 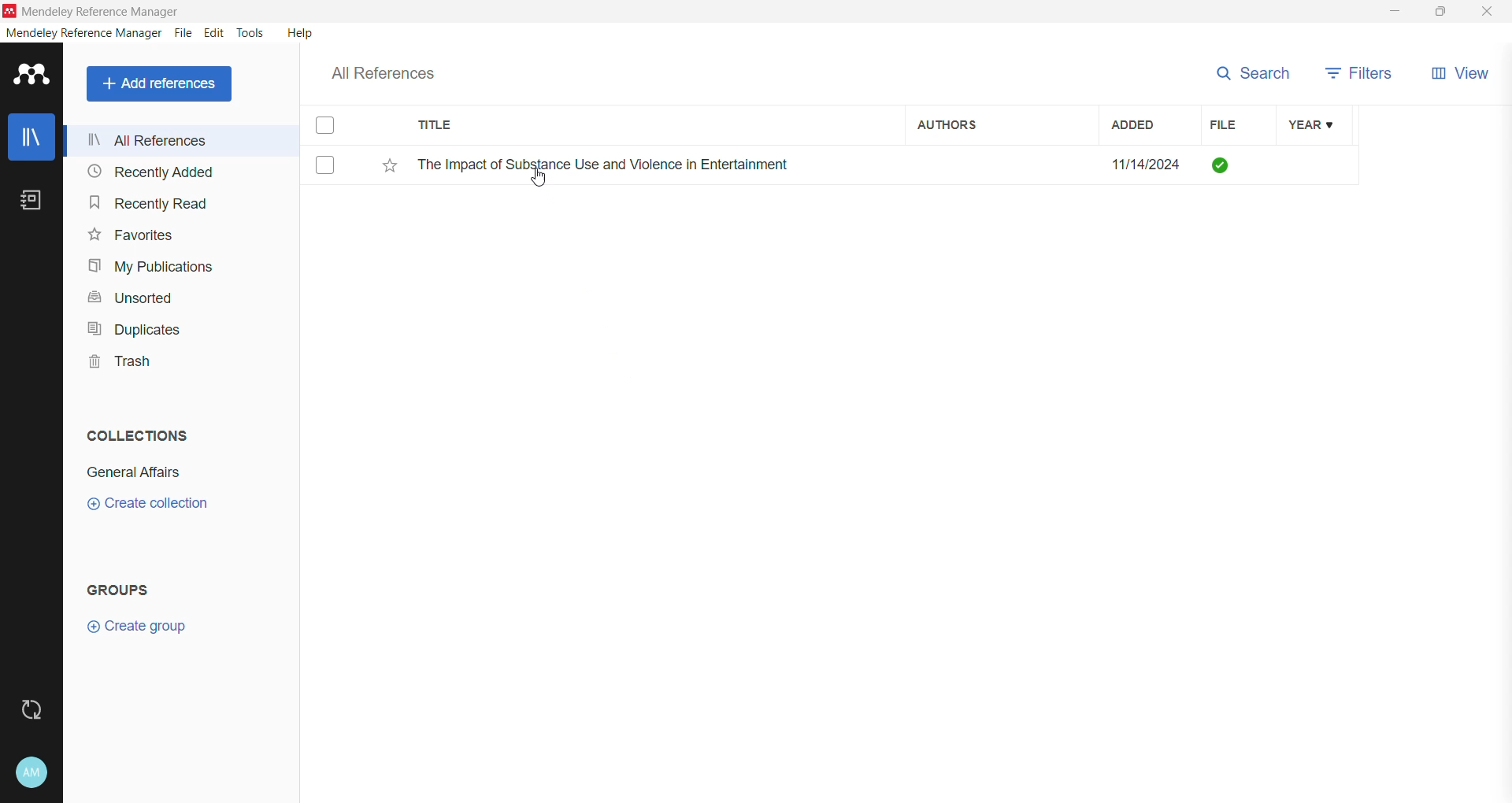 I want to click on Add References, so click(x=162, y=83).